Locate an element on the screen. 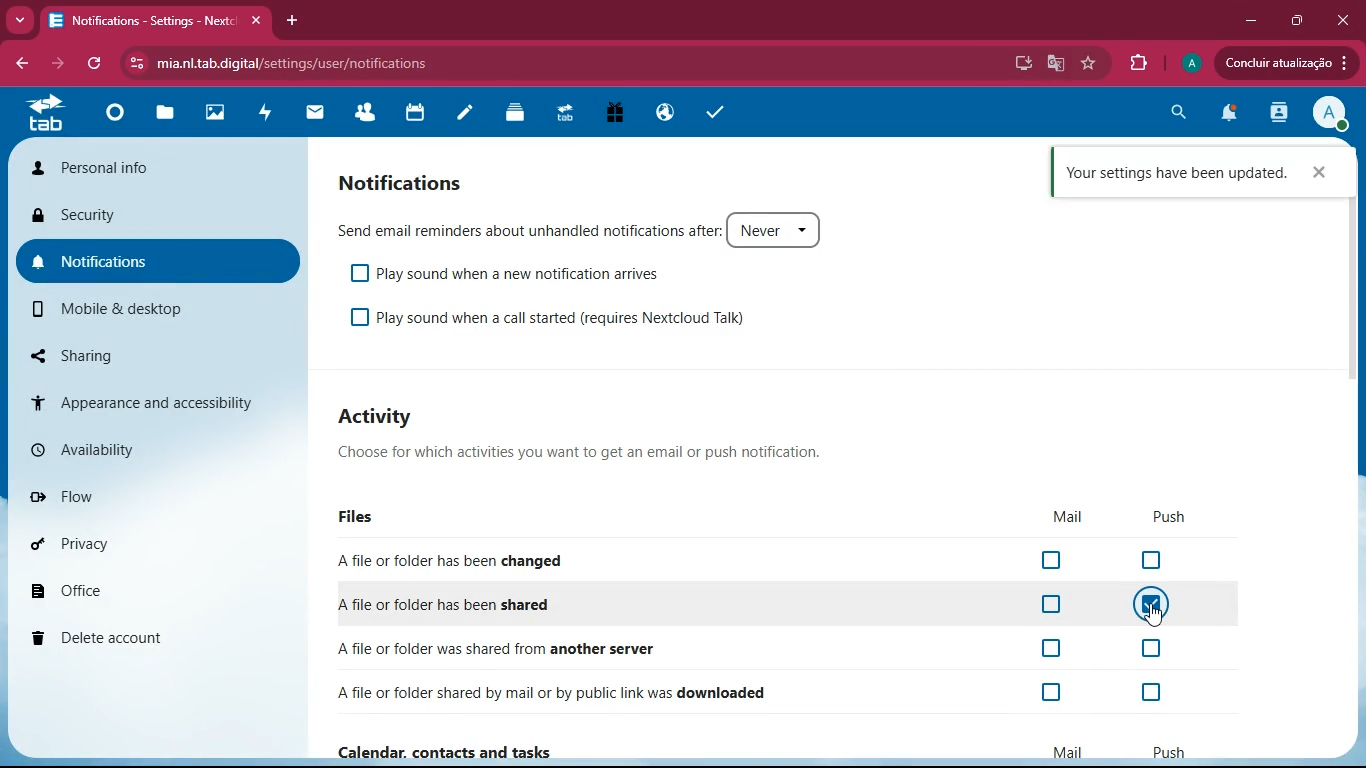 The height and width of the screenshot is (768, 1366). mail is located at coordinates (1068, 516).